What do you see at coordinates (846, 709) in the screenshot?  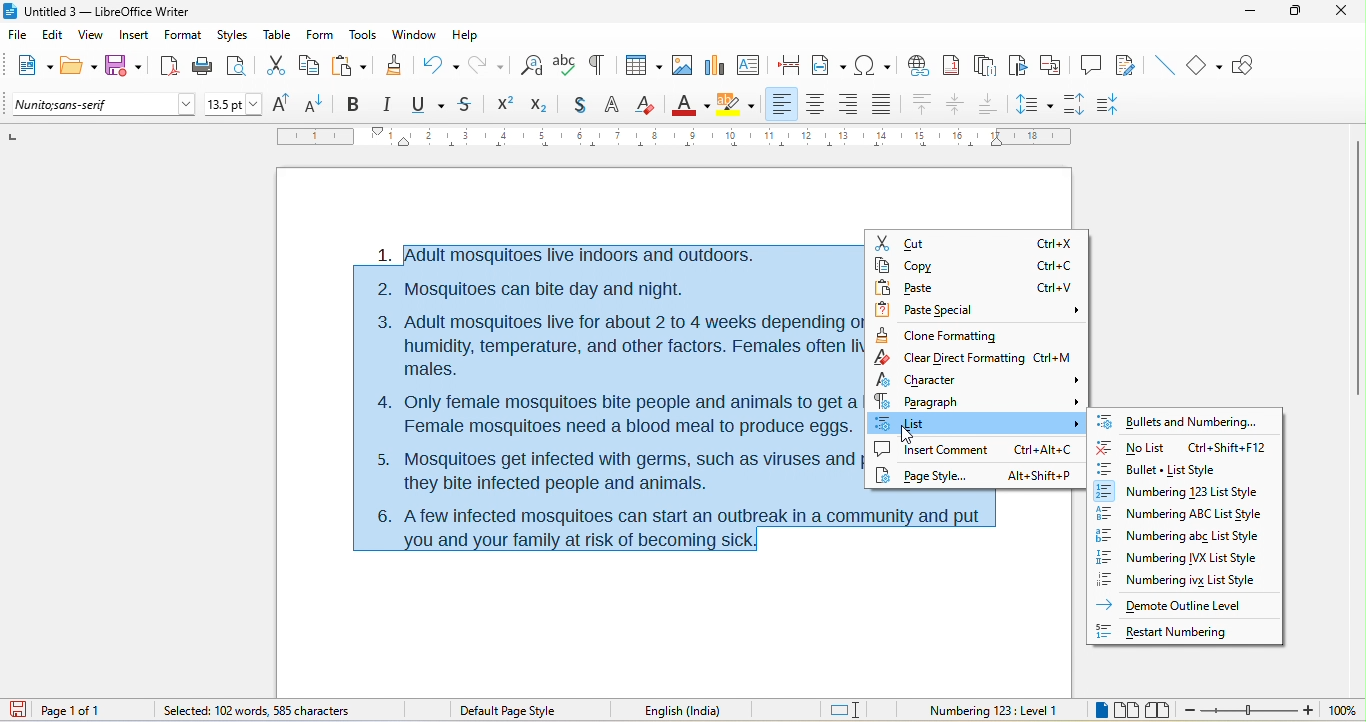 I see `standard selection` at bounding box center [846, 709].